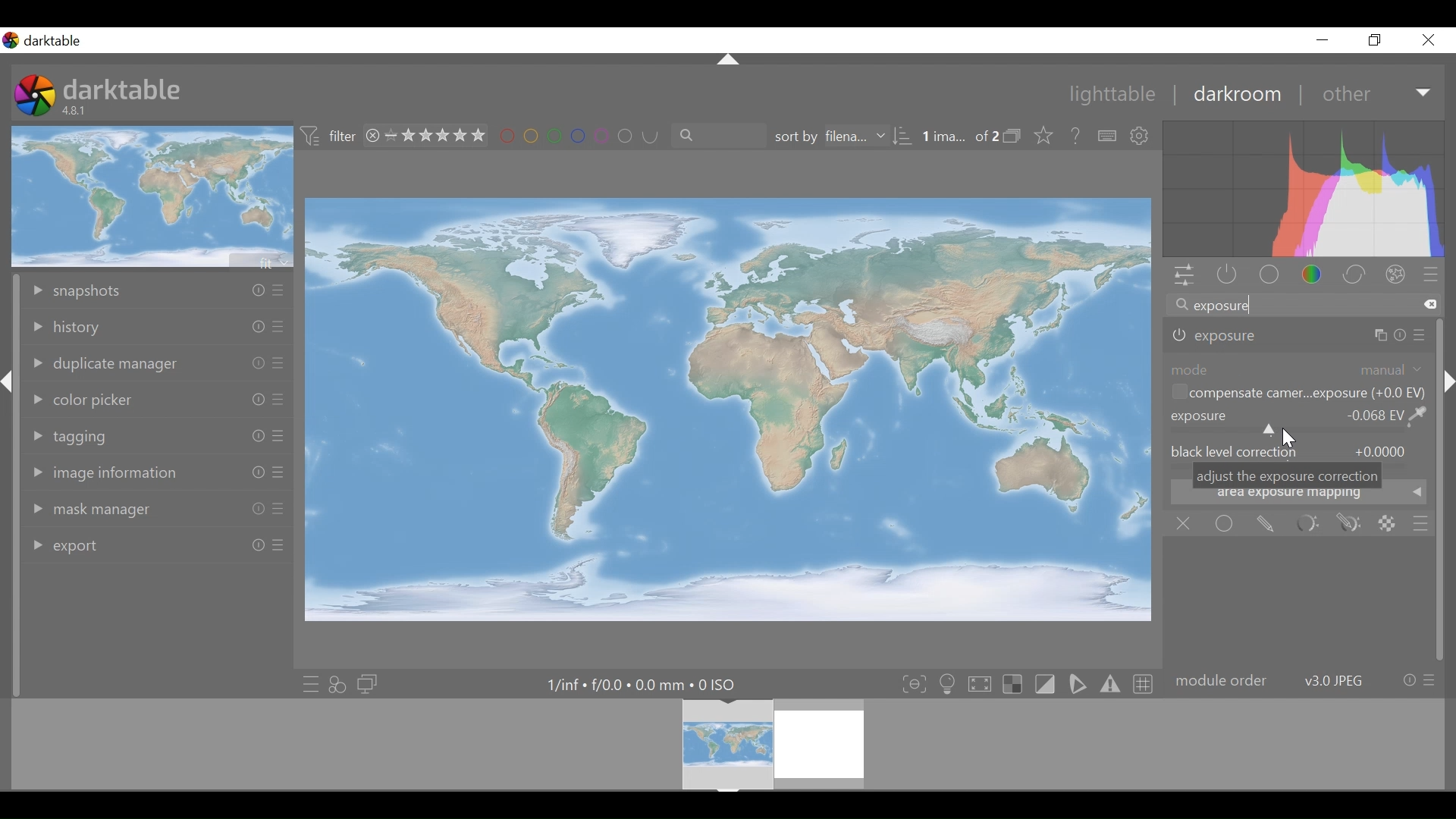  What do you see at coordinates (730, 409) in the screenshot?
I see `main editing are` at bounding box center [730, 409].